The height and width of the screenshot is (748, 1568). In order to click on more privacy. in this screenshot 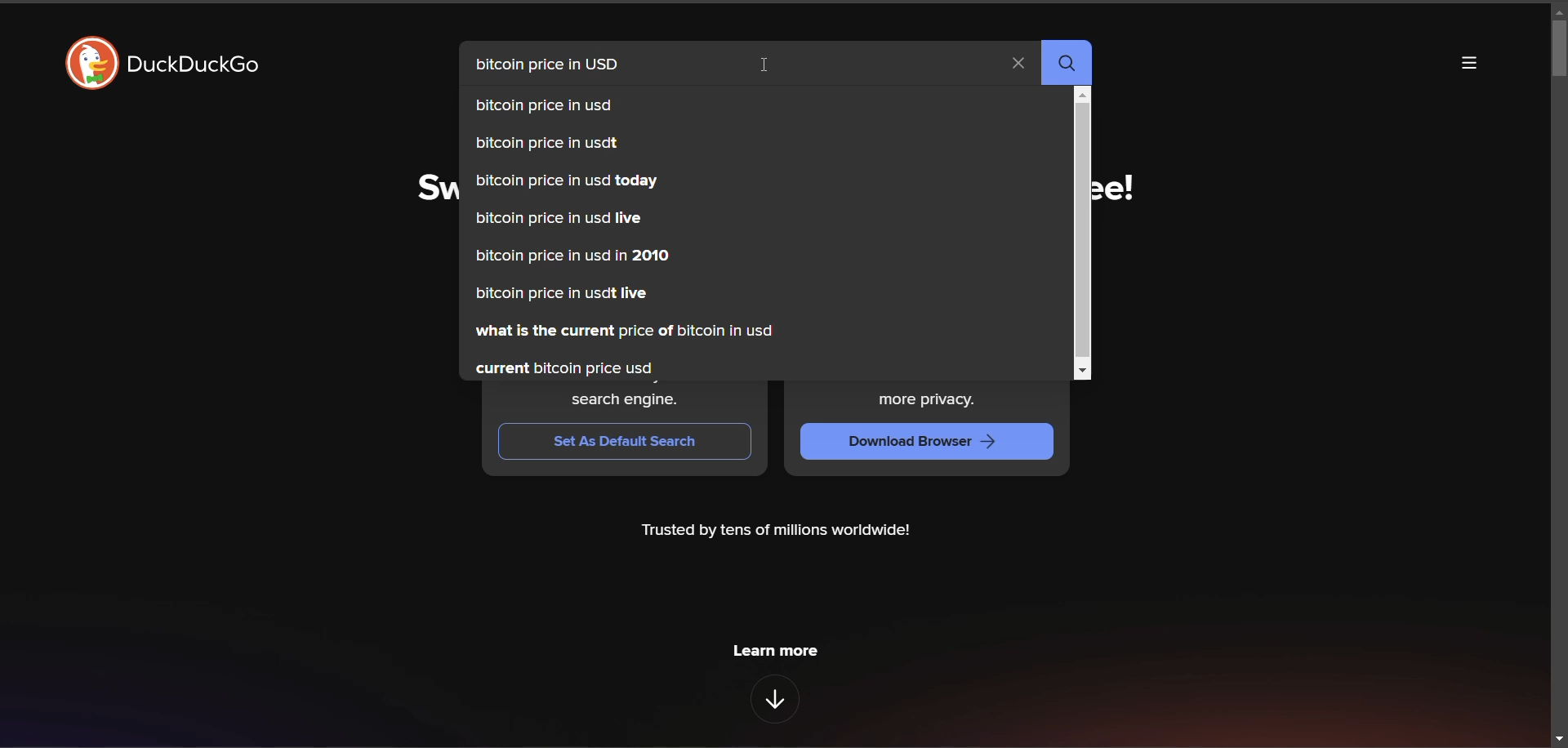, I will do `click(933, 399)`.